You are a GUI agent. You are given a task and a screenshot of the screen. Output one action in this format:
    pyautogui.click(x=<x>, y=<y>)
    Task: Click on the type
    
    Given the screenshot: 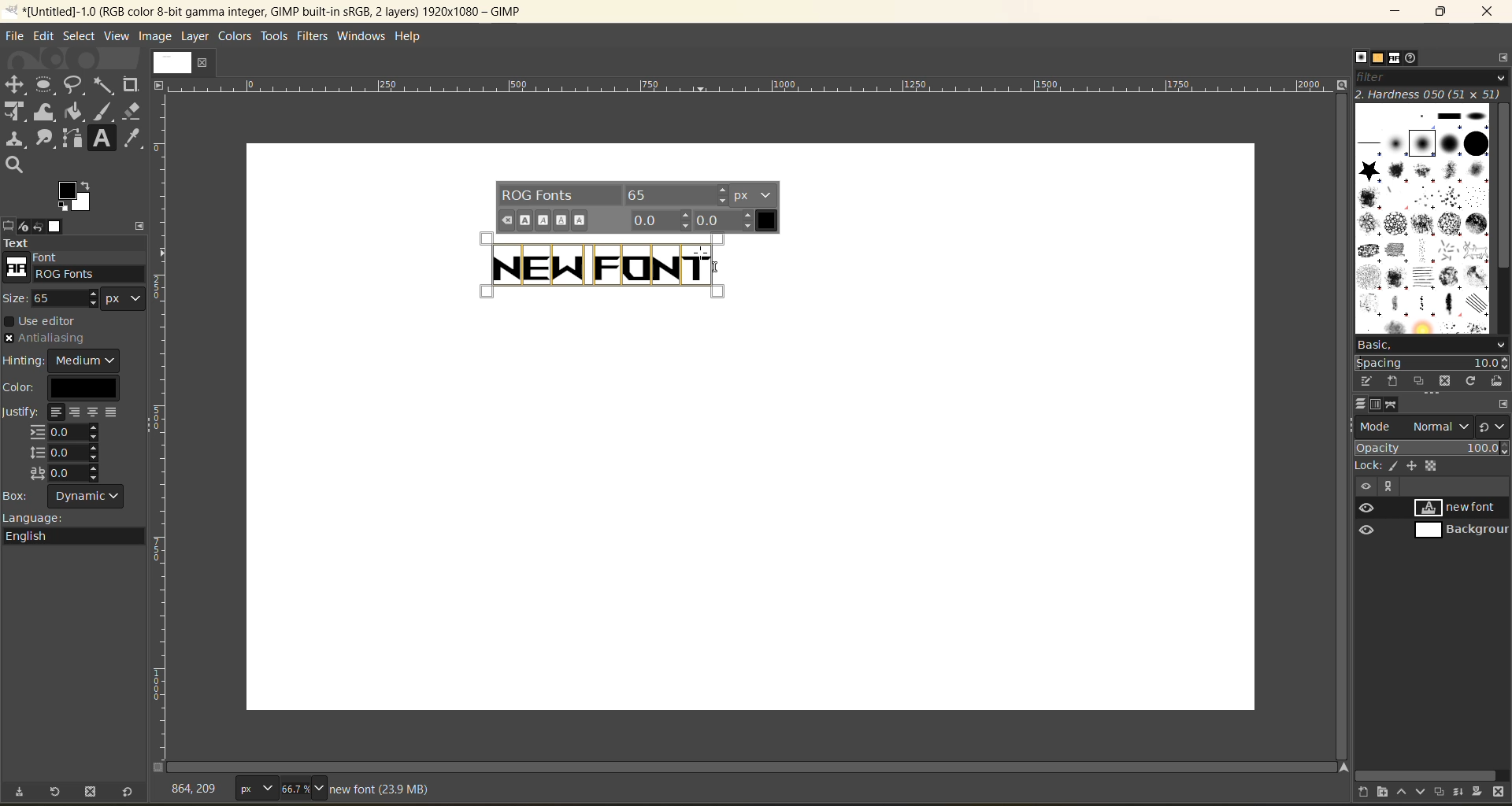 What is the action you would take?
    pyautogui.click(x=255, y=787)
    